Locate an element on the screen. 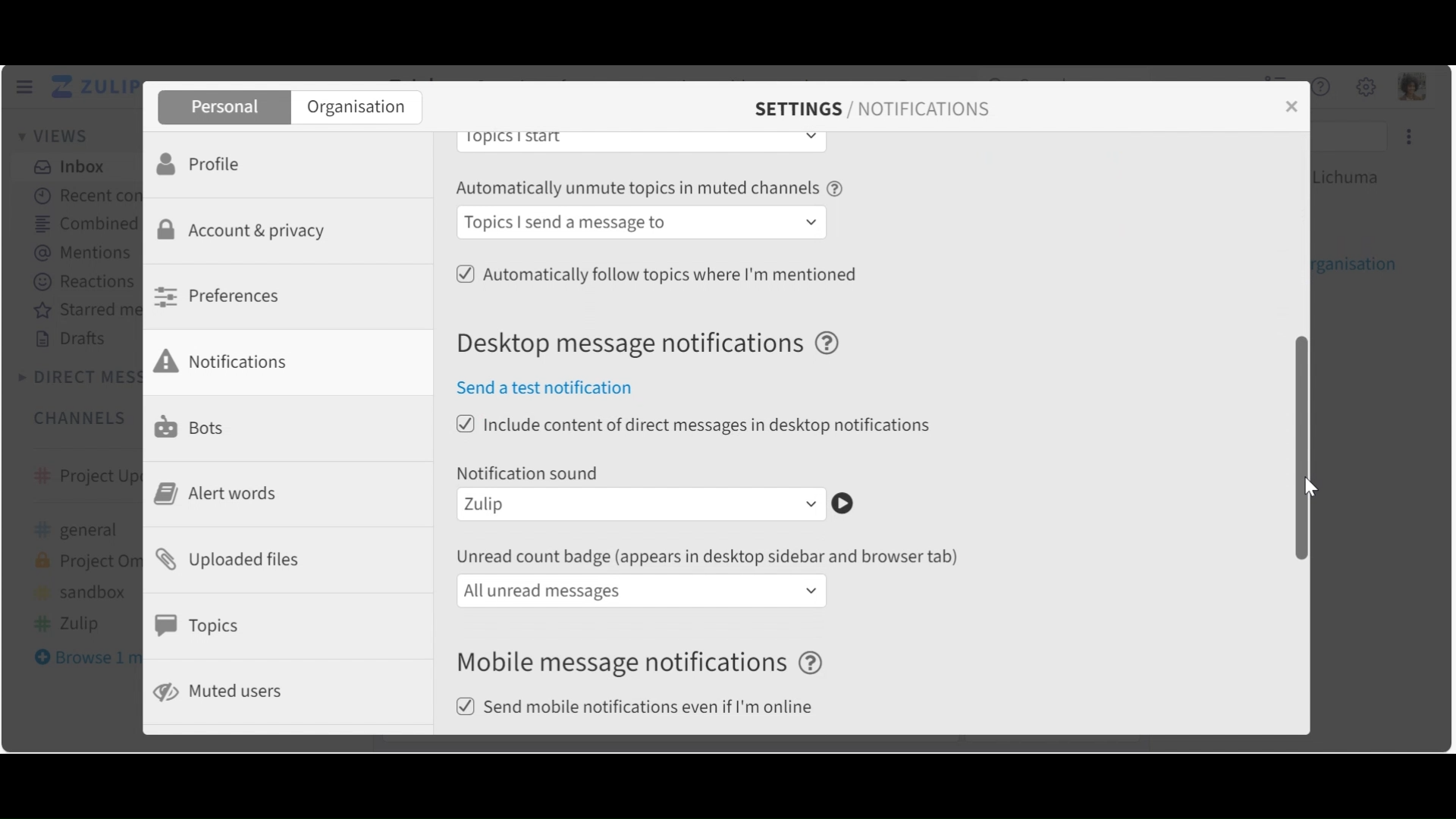 Image resolution: width=1456 pixels, height=819 pixels. Profile is located at coordinates (204, 162).